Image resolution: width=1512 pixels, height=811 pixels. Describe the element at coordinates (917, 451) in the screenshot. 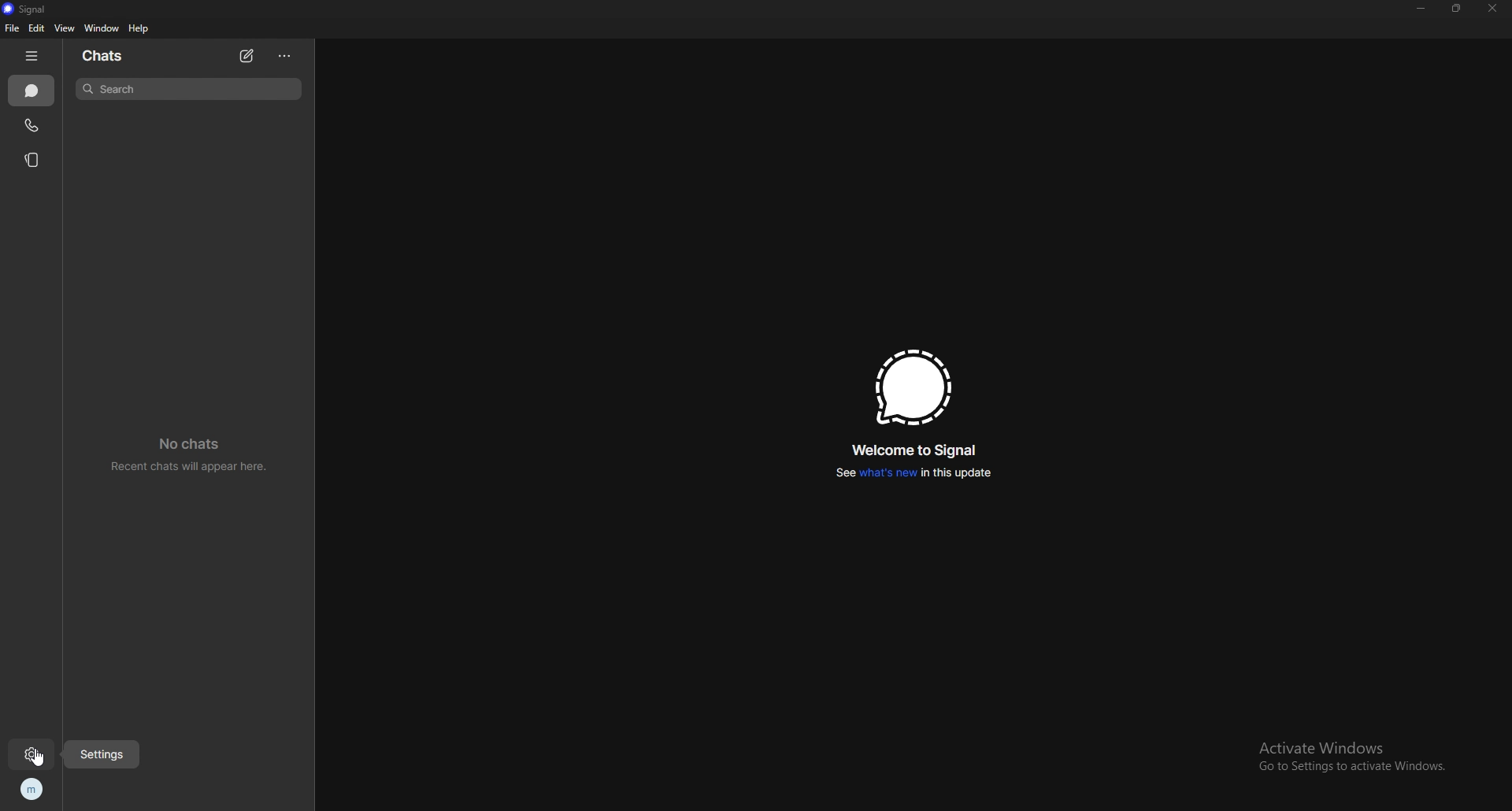

I see `welcome to signal` at that location.